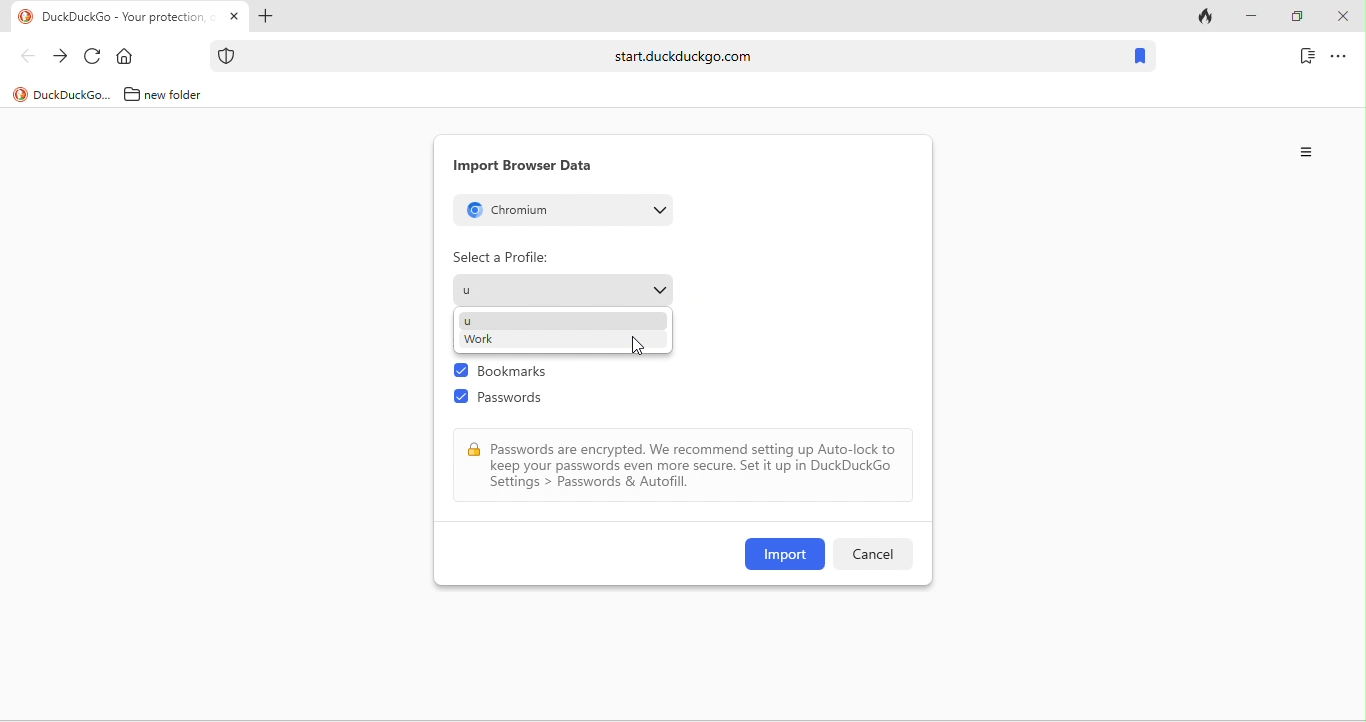 The height and width of the screenshot is (722, 1366). I want to click on start.duckduckgo.com, so click(683, 55).